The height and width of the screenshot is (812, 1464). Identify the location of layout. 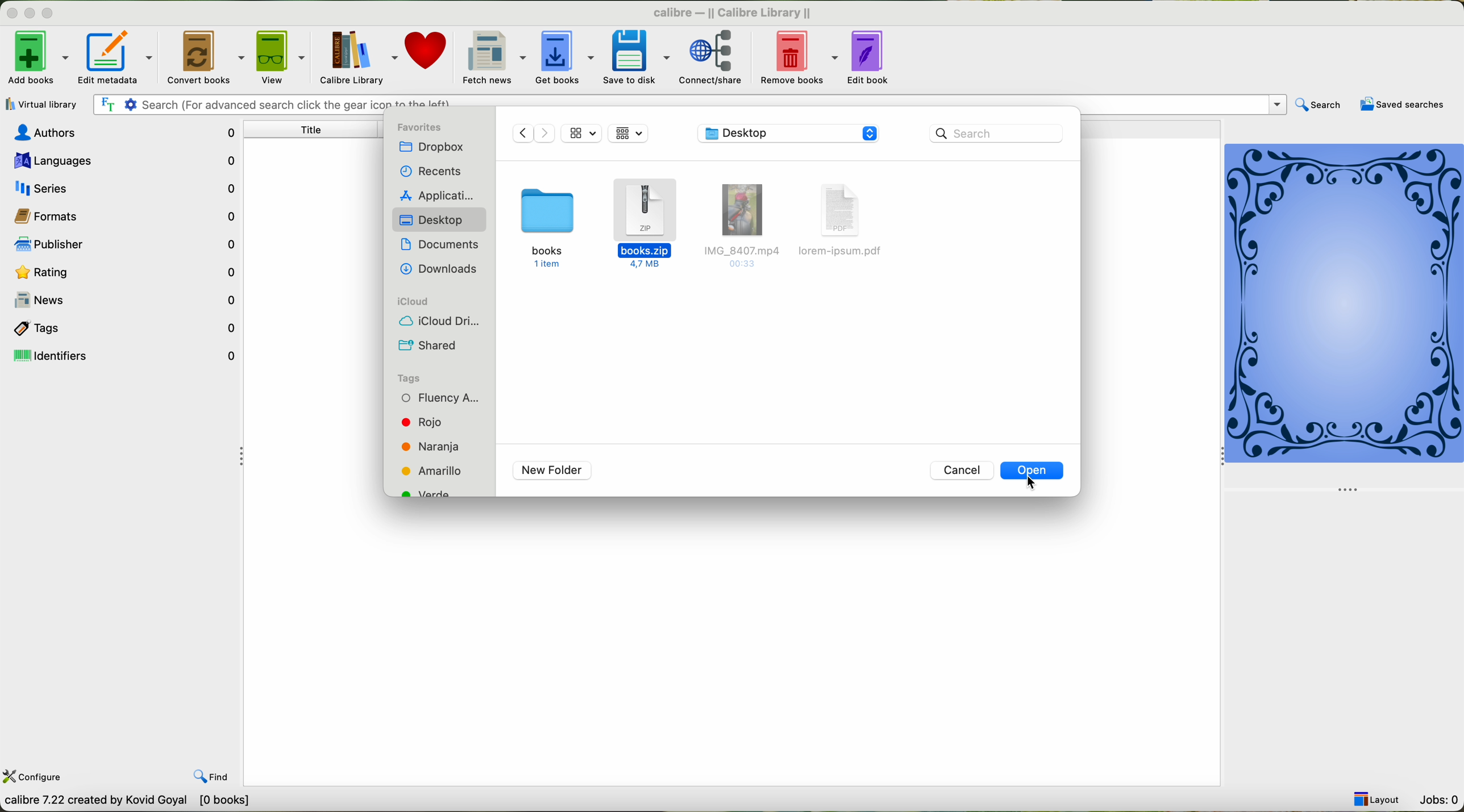
(1375, 799).